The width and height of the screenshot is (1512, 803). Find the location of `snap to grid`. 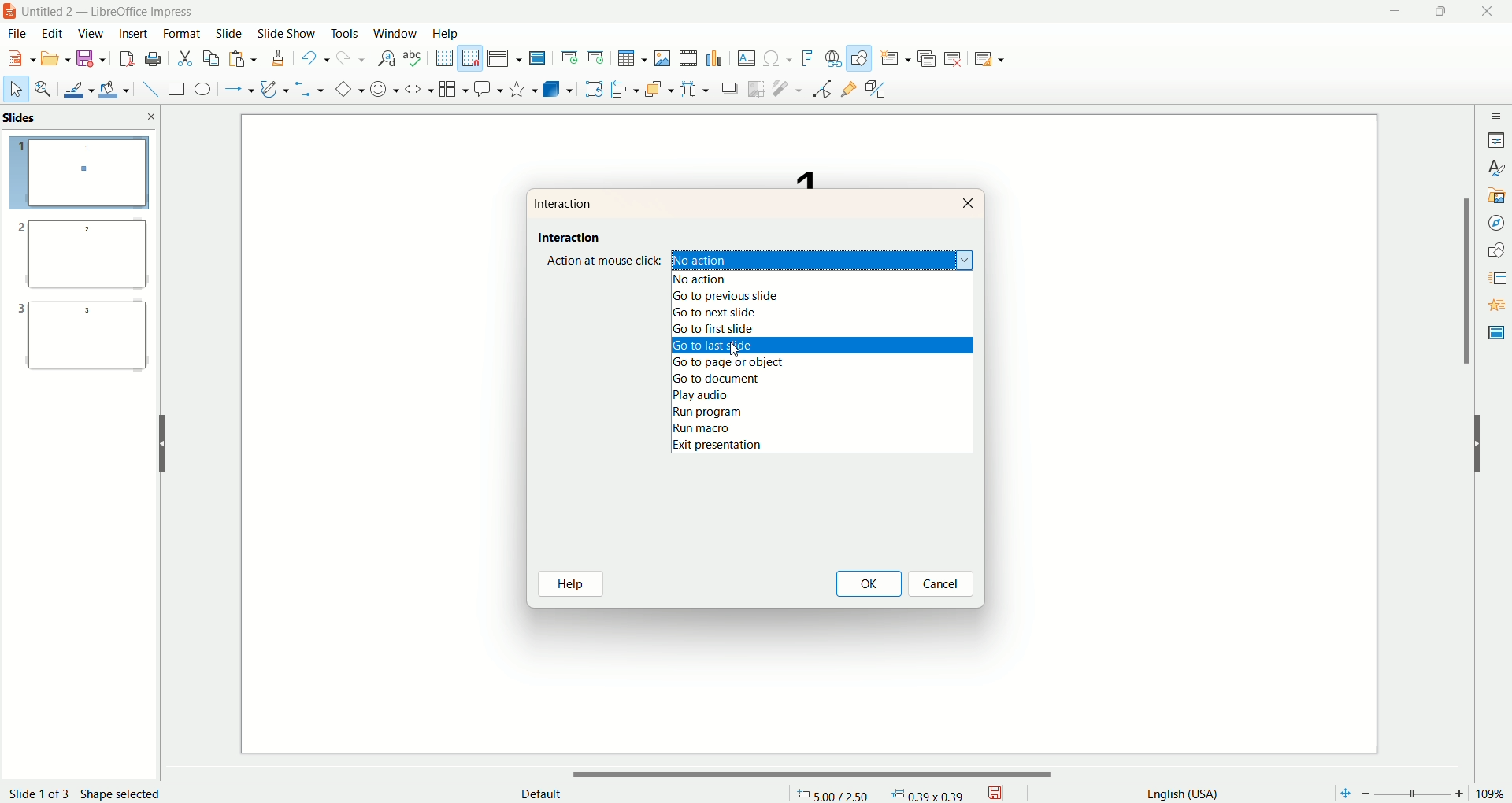

snap to grid is located at coordinates (472, 58).